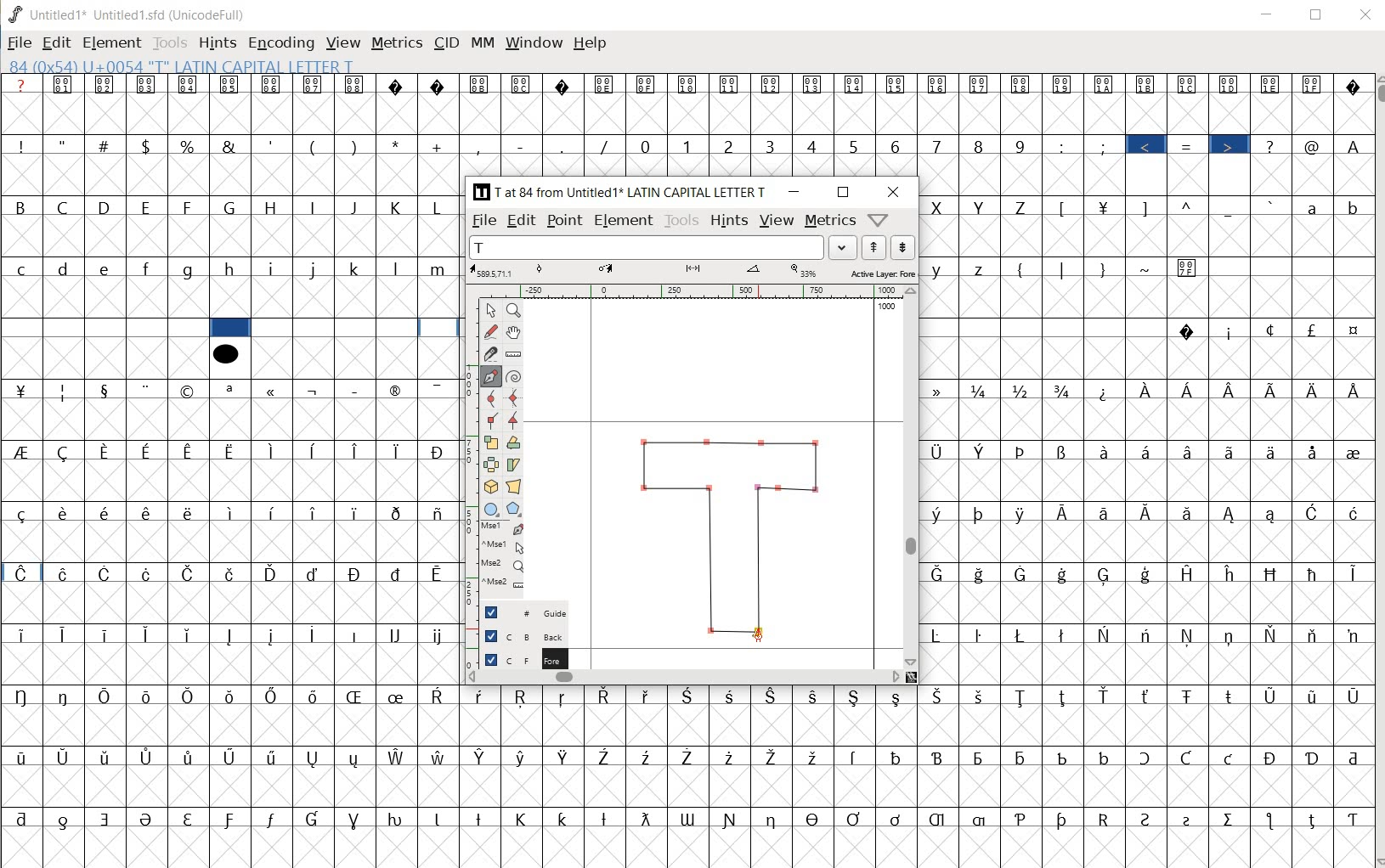 This screenshot has height=868, width=1385. I want to click on Symbol, so click(21, 756).